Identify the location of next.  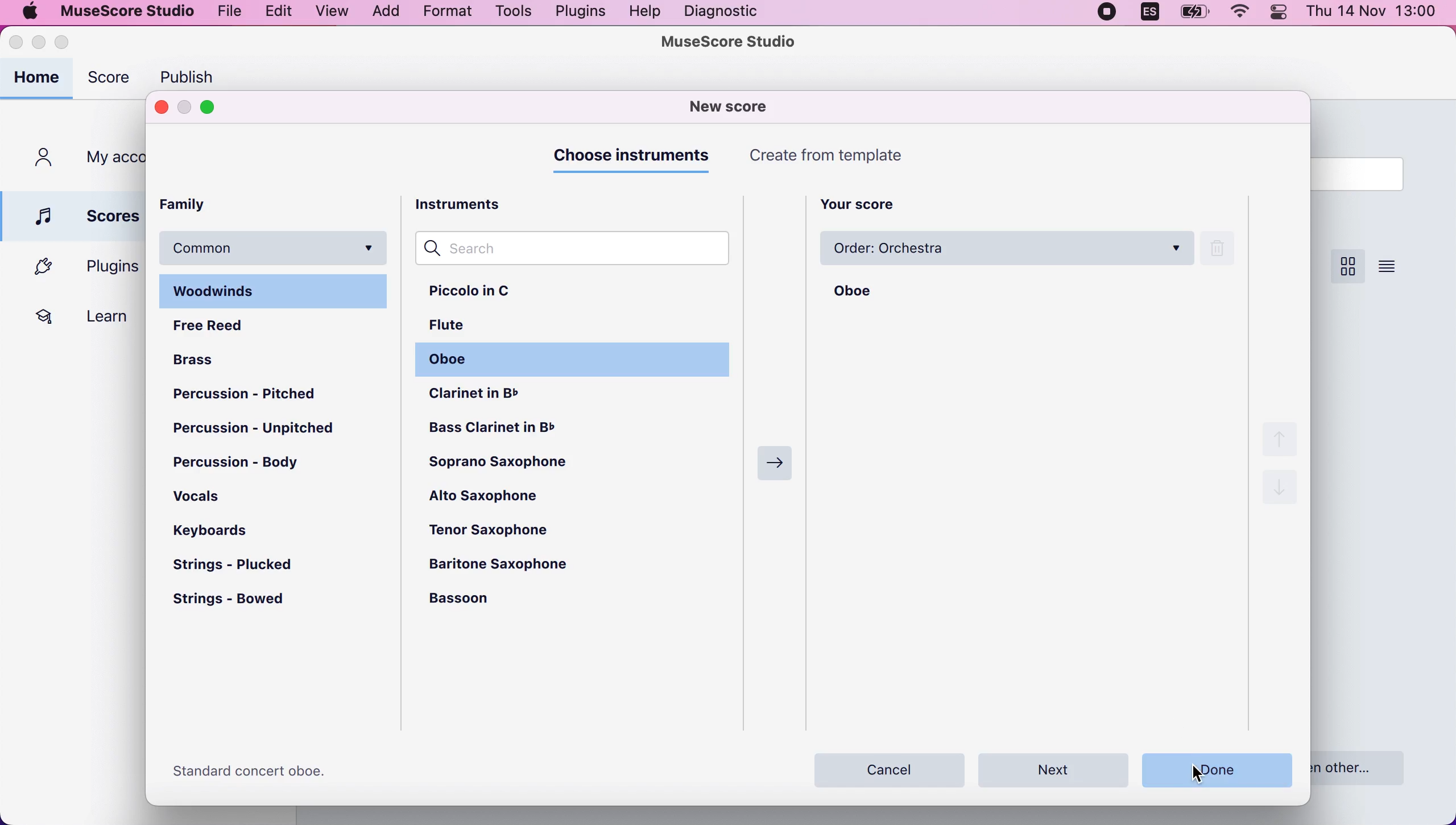
(776, 464).